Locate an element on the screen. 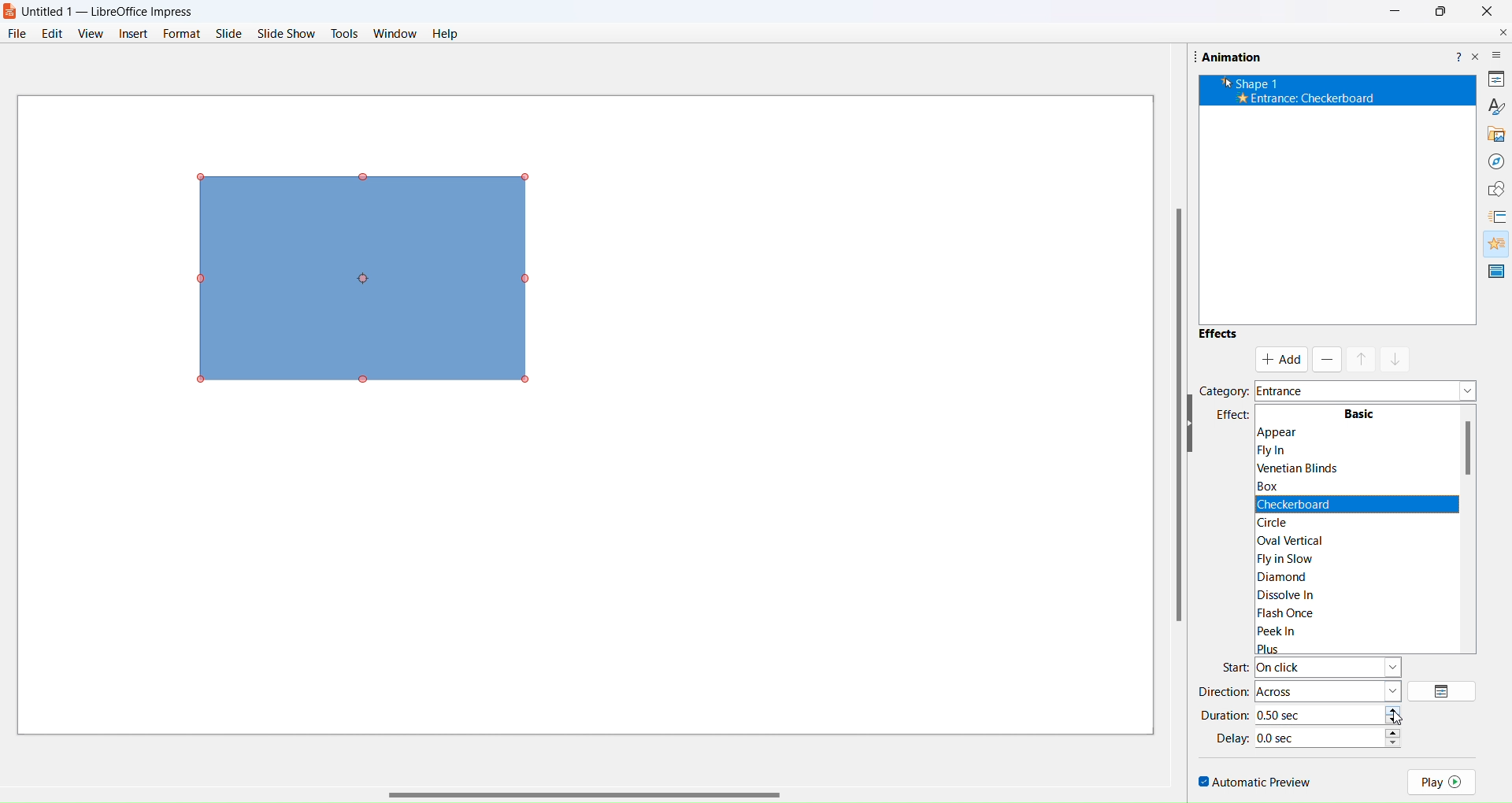  increase/decrease is located at coordinates (1395, 713).